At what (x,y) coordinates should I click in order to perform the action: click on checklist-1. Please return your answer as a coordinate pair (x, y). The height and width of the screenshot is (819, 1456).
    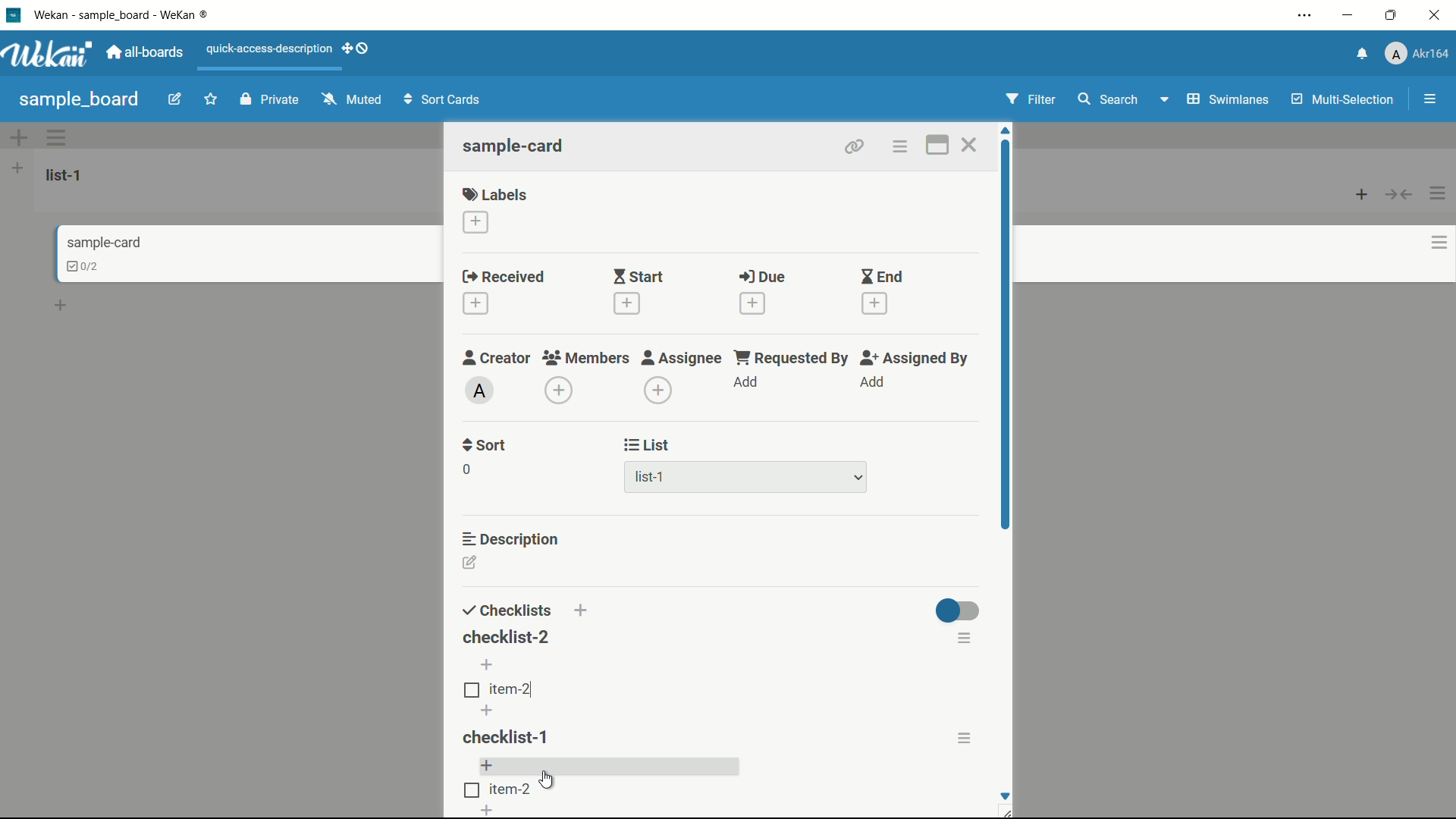
    Looking at the image, I should click on (507, 739).